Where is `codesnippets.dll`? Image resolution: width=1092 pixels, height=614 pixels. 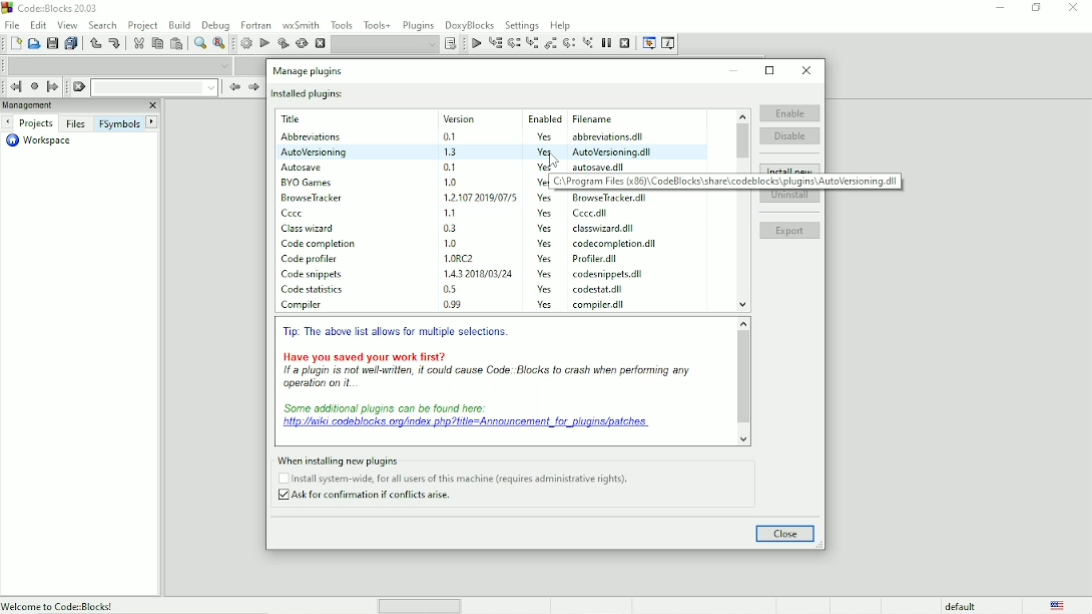
codesnippets.dll is located at coordinates (606, 274).